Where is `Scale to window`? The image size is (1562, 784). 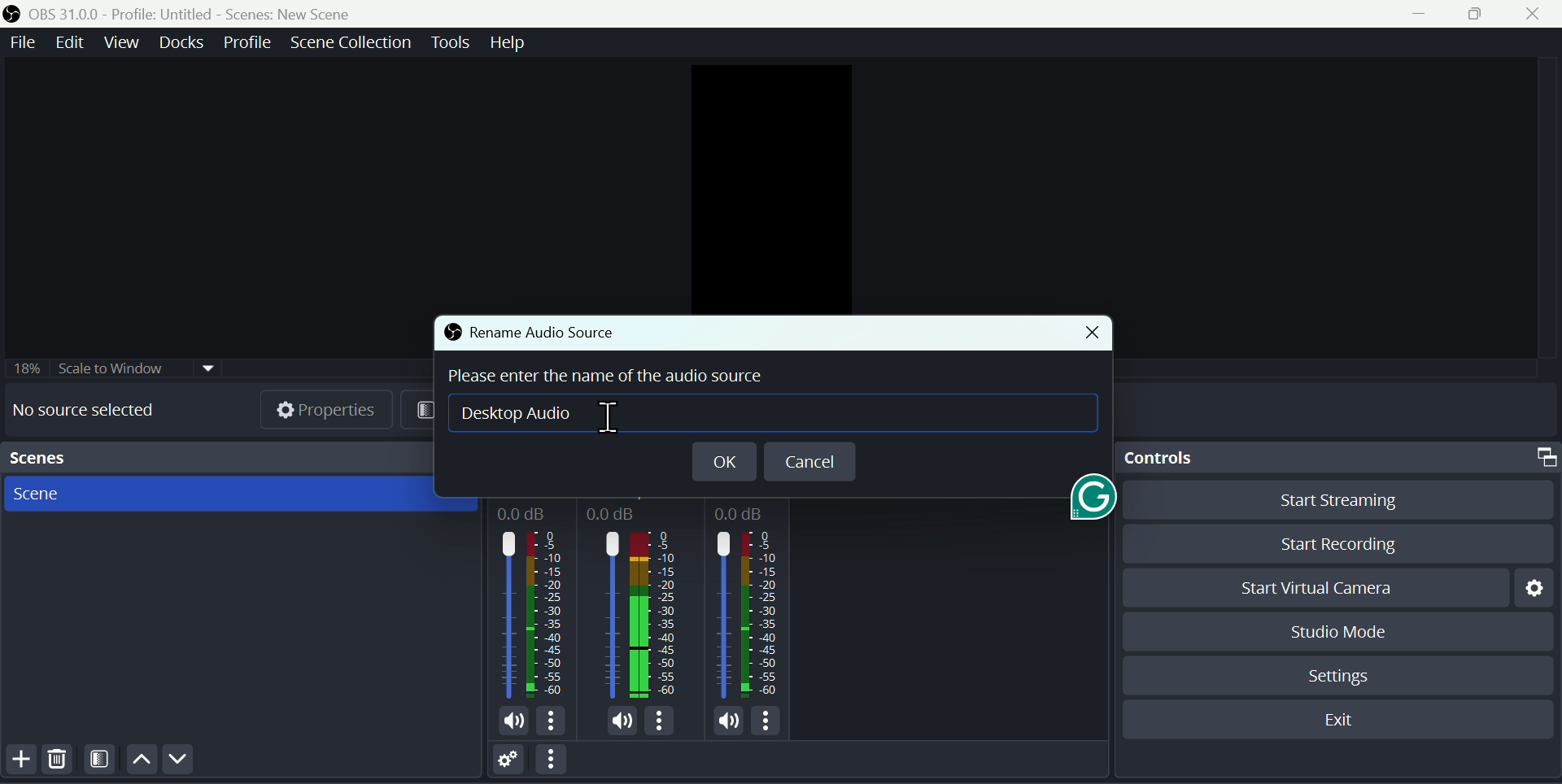 Scale to window is located at coordinates (111, 368).